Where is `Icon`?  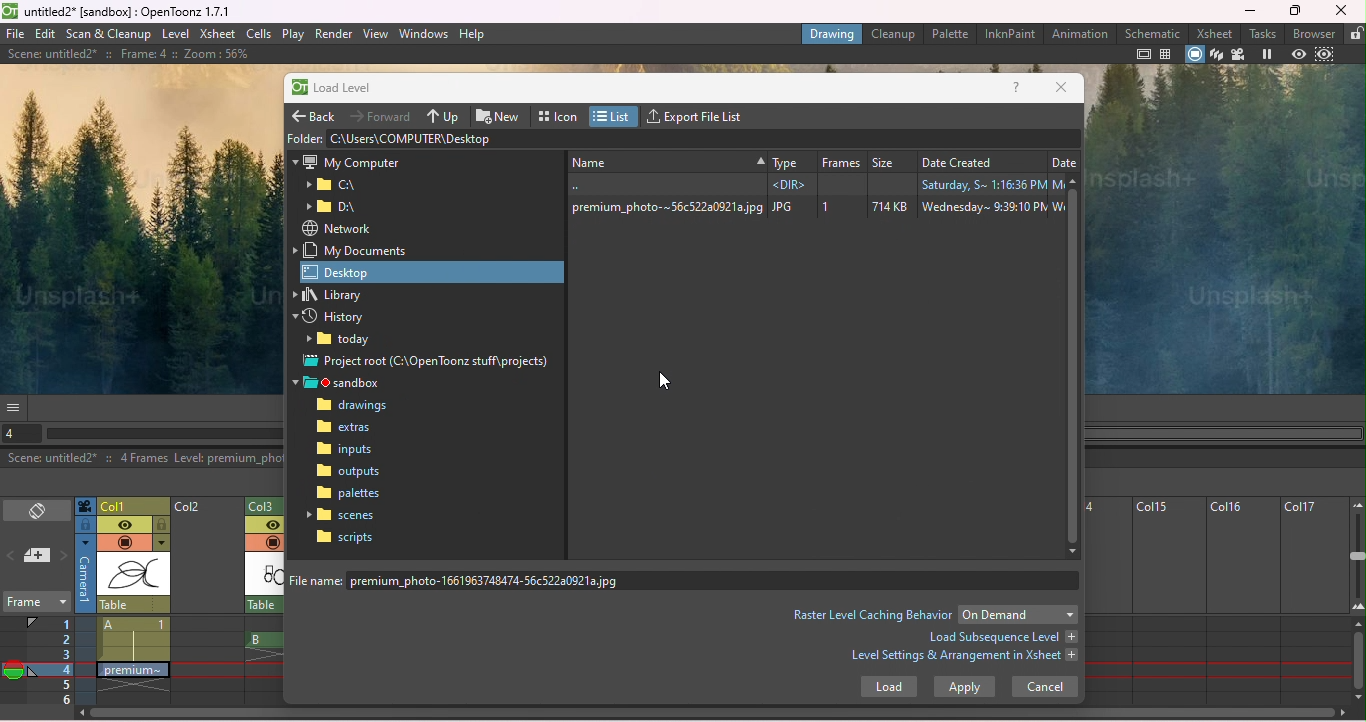 Icon is located at coordinates (559, 114).